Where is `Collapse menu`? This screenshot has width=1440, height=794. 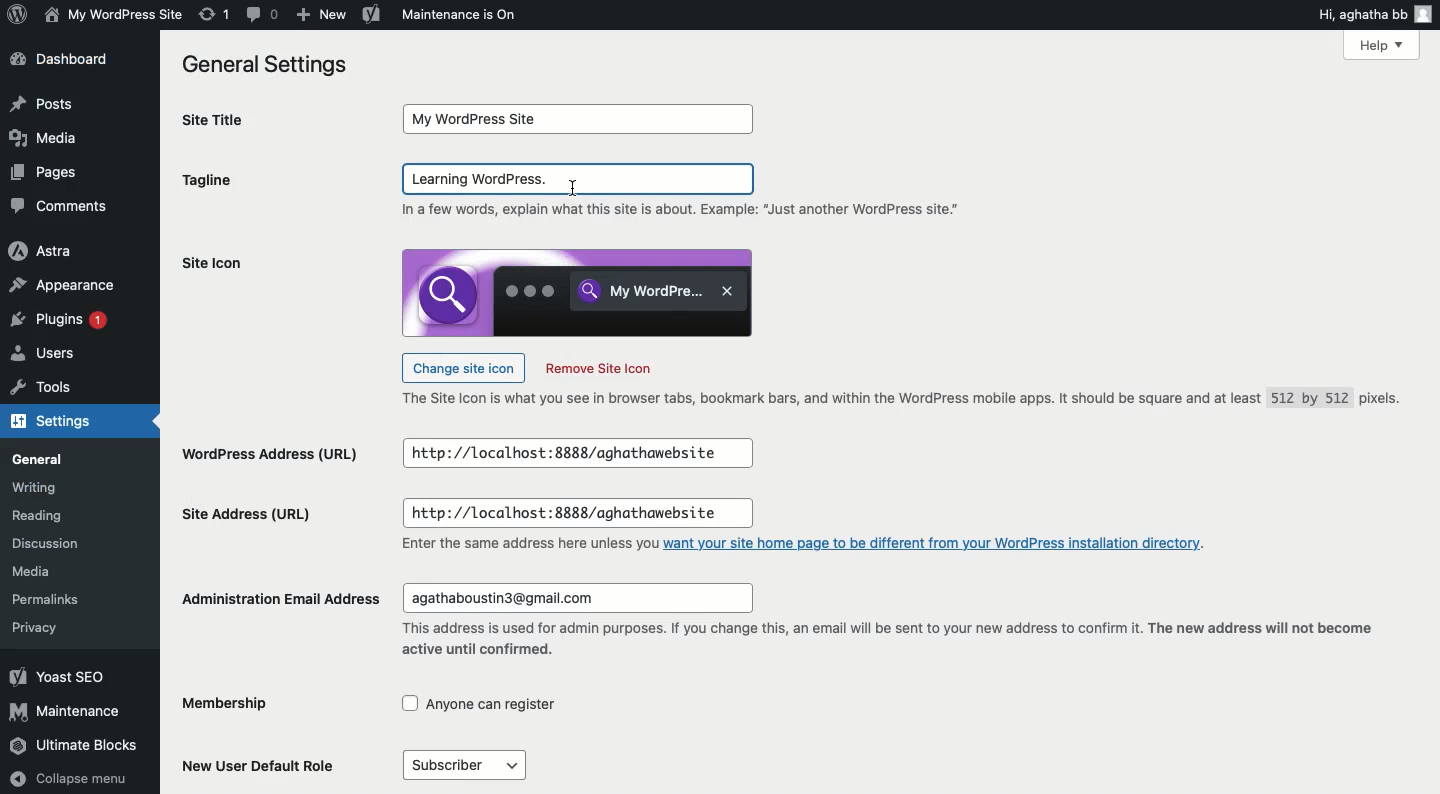 Collapse menu is located at coordinates (71, 779).